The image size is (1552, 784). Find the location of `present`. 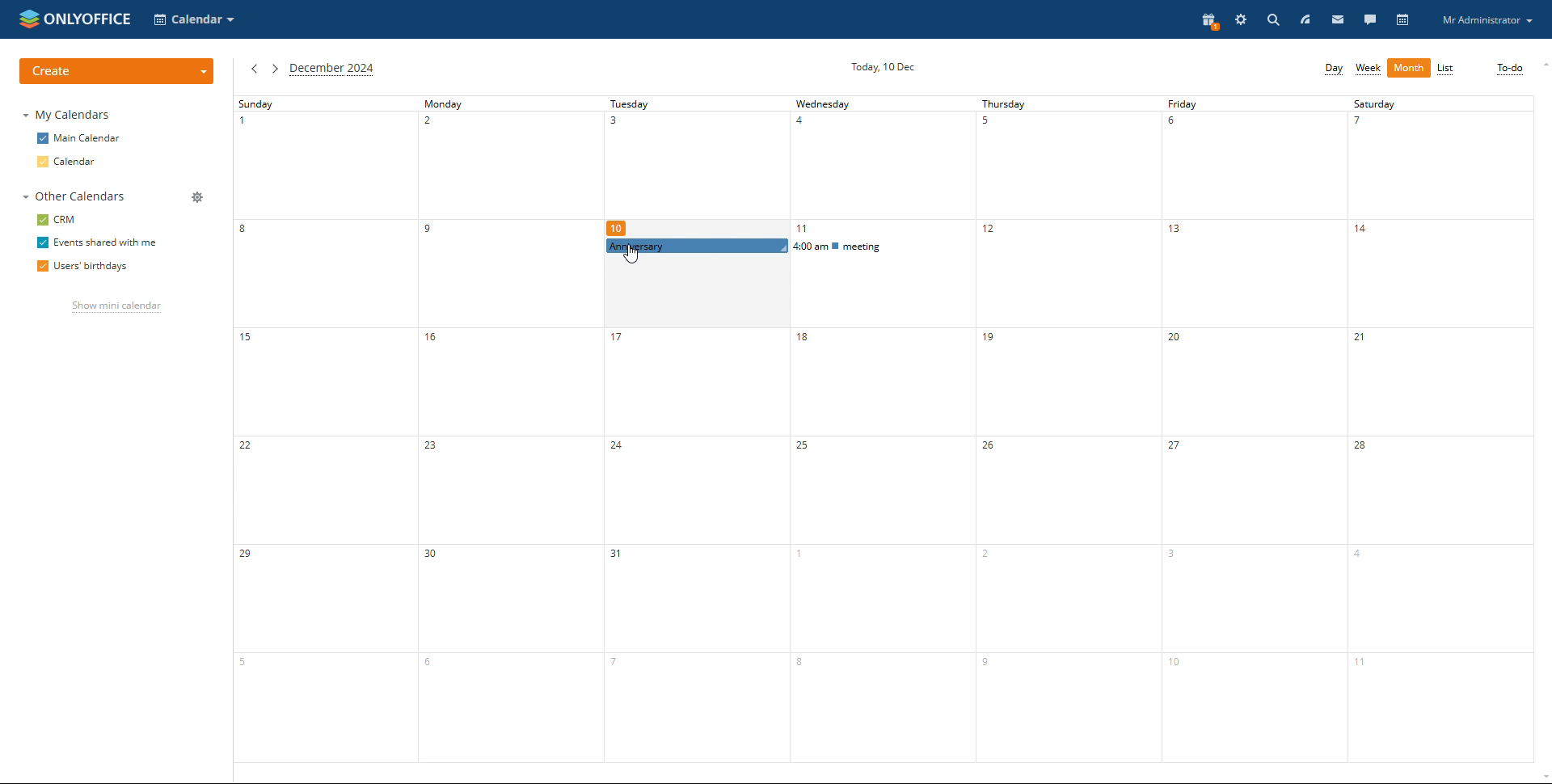

present is located at coordinates (1207, 22).